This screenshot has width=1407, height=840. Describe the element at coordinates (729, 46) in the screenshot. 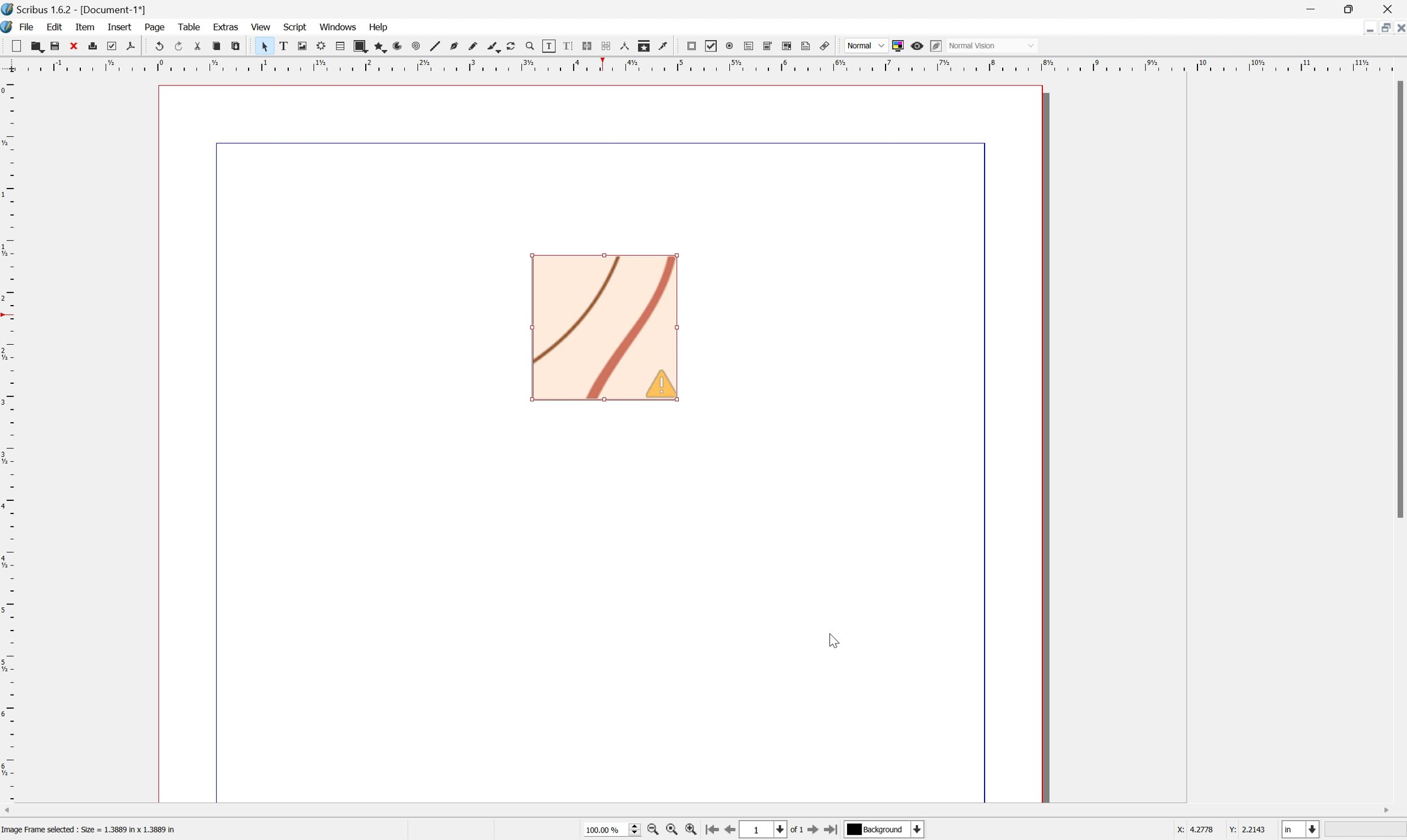

I see `PDF radio button` at that location.